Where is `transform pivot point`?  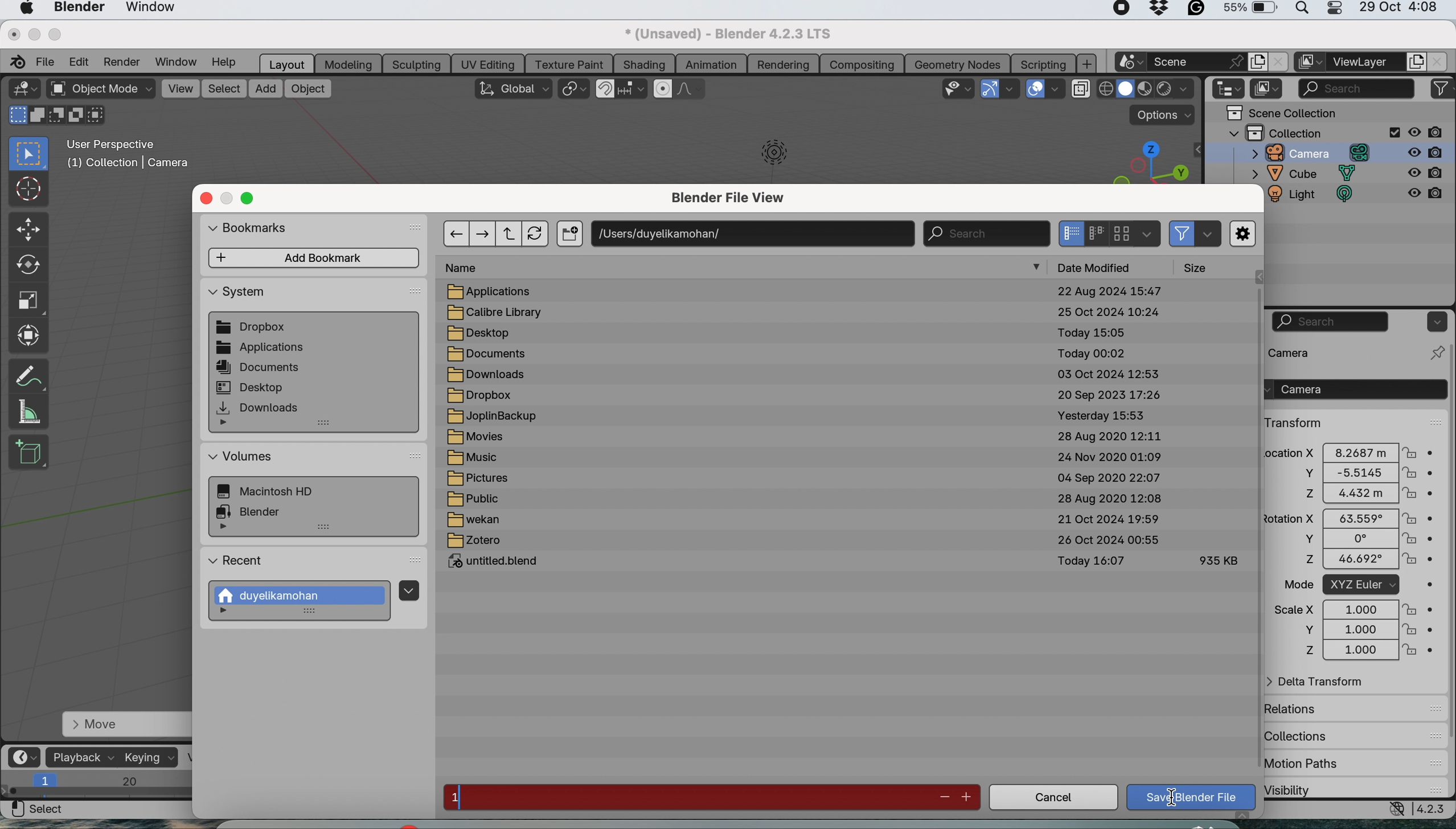
transform pivot point is located at coordinates (573, 91).